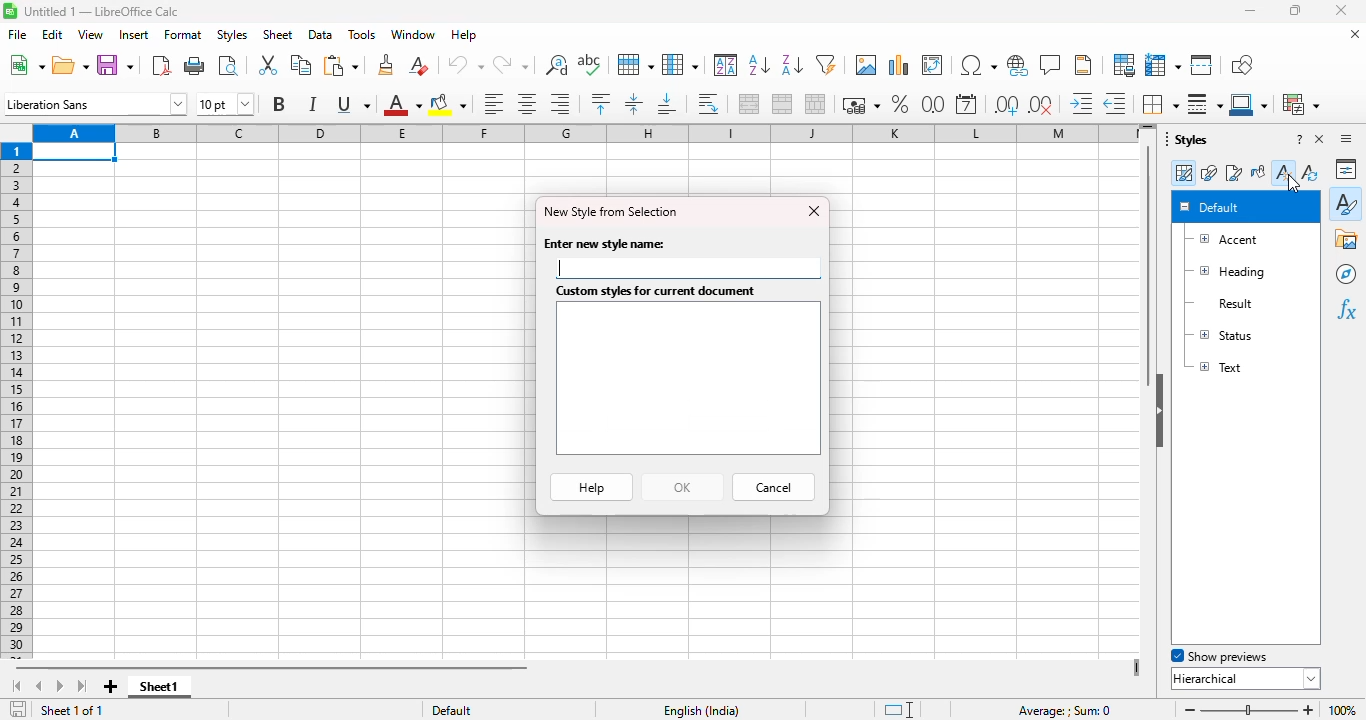 The height and width of the screenshot is (720, 1366). Describe the element at coordinates (451, 710) in the screenshot. I see `default` at that location.